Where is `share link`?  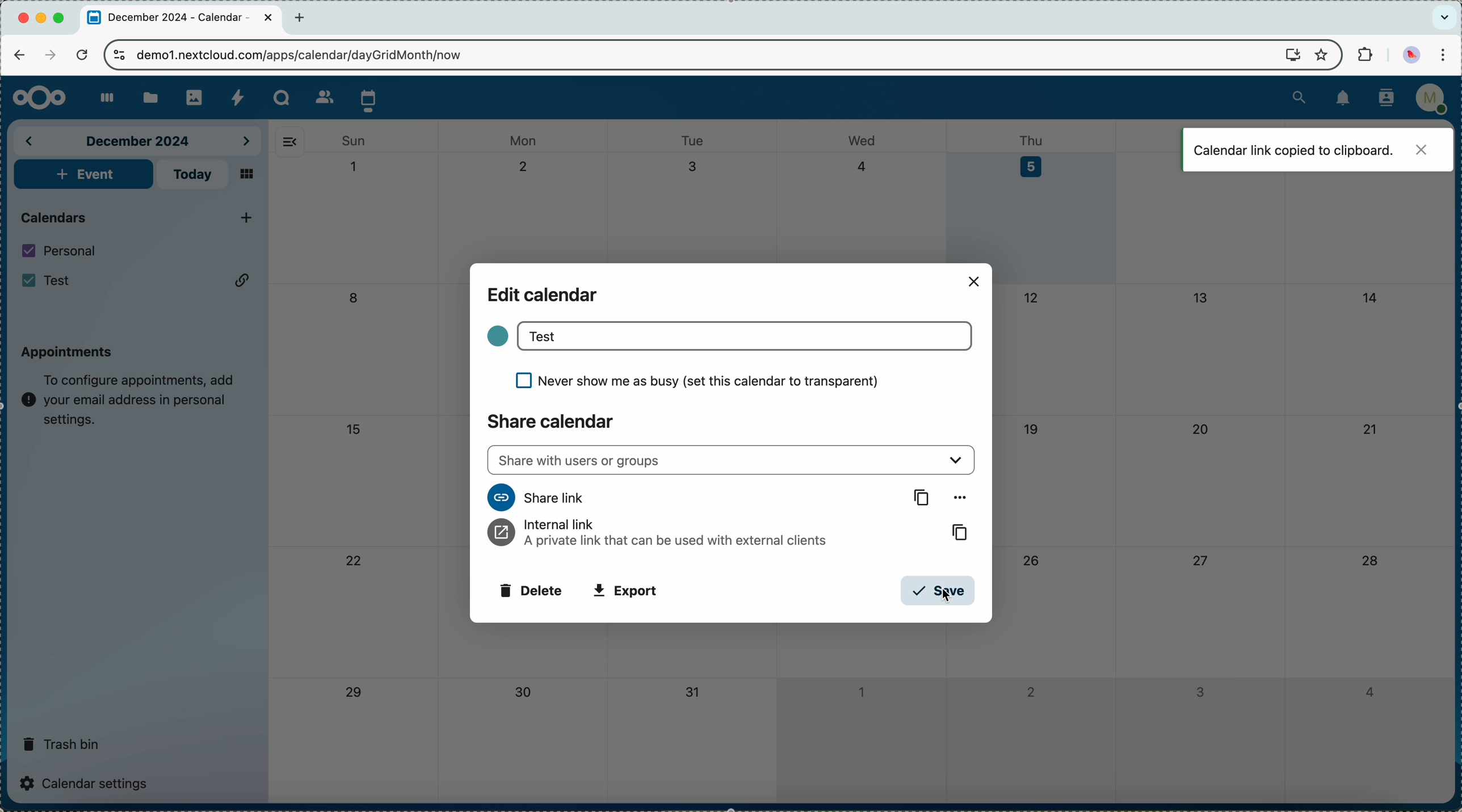
share link is located at coordinates (536, 497).